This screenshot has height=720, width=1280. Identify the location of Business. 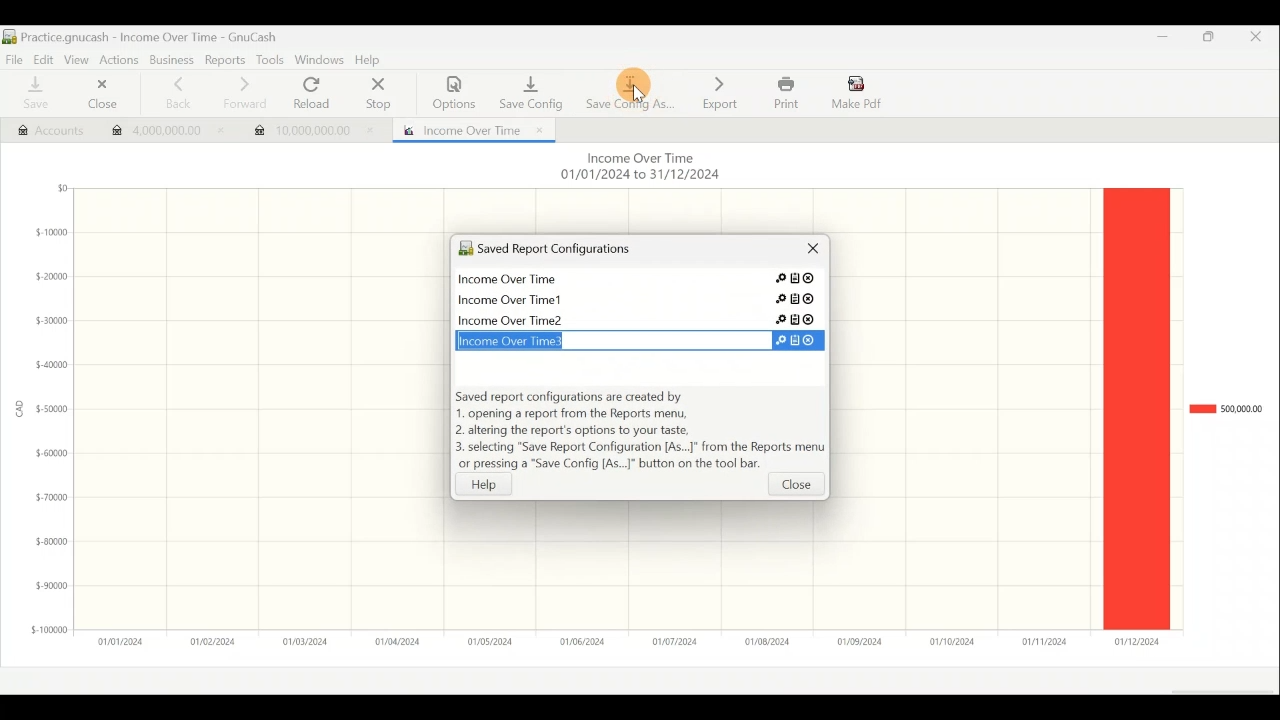
(172, 61).